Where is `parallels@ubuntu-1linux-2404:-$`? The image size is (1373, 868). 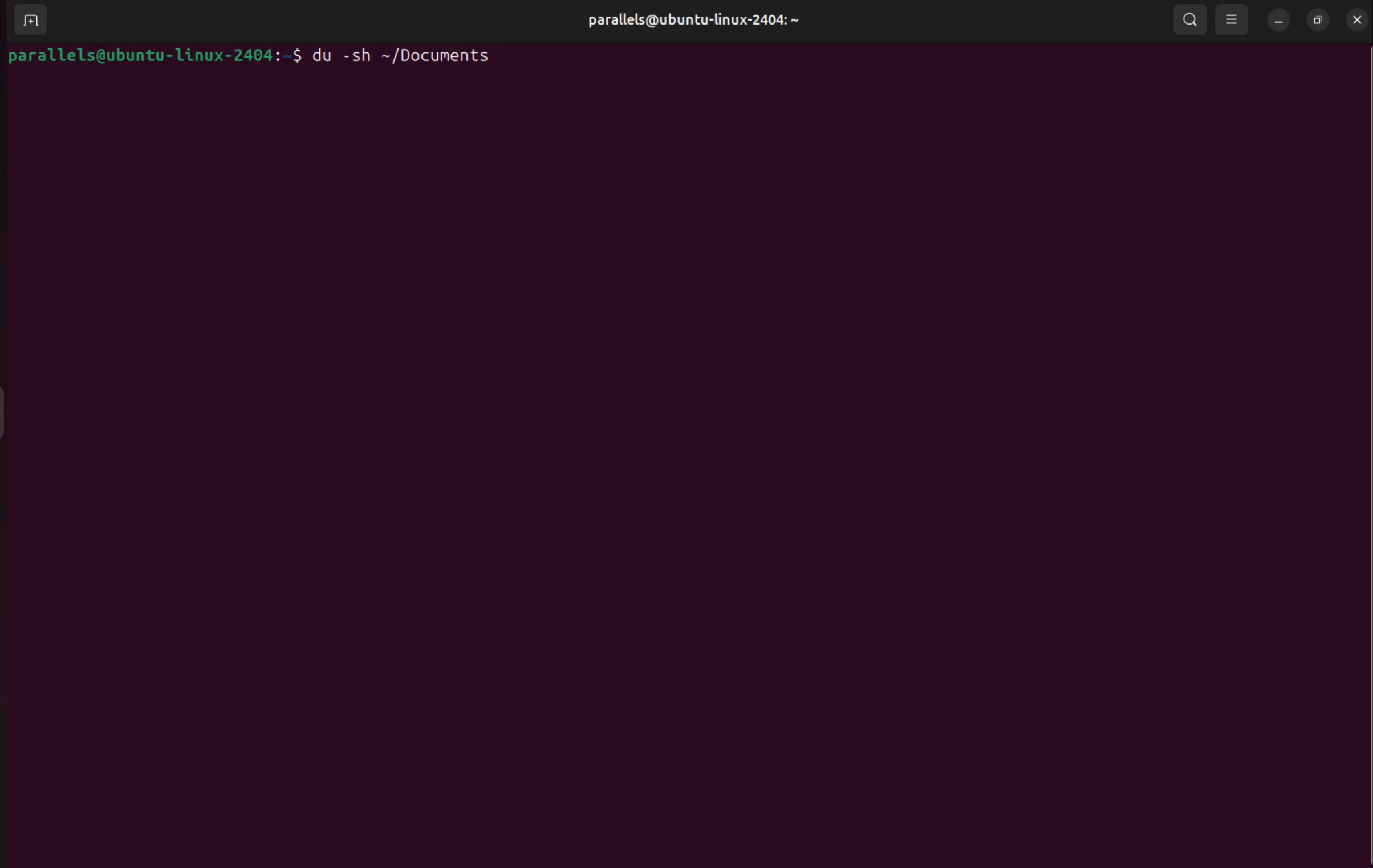 parallels@ubuntu-1linux-2404:-$ is located at coordinates (151, 58).